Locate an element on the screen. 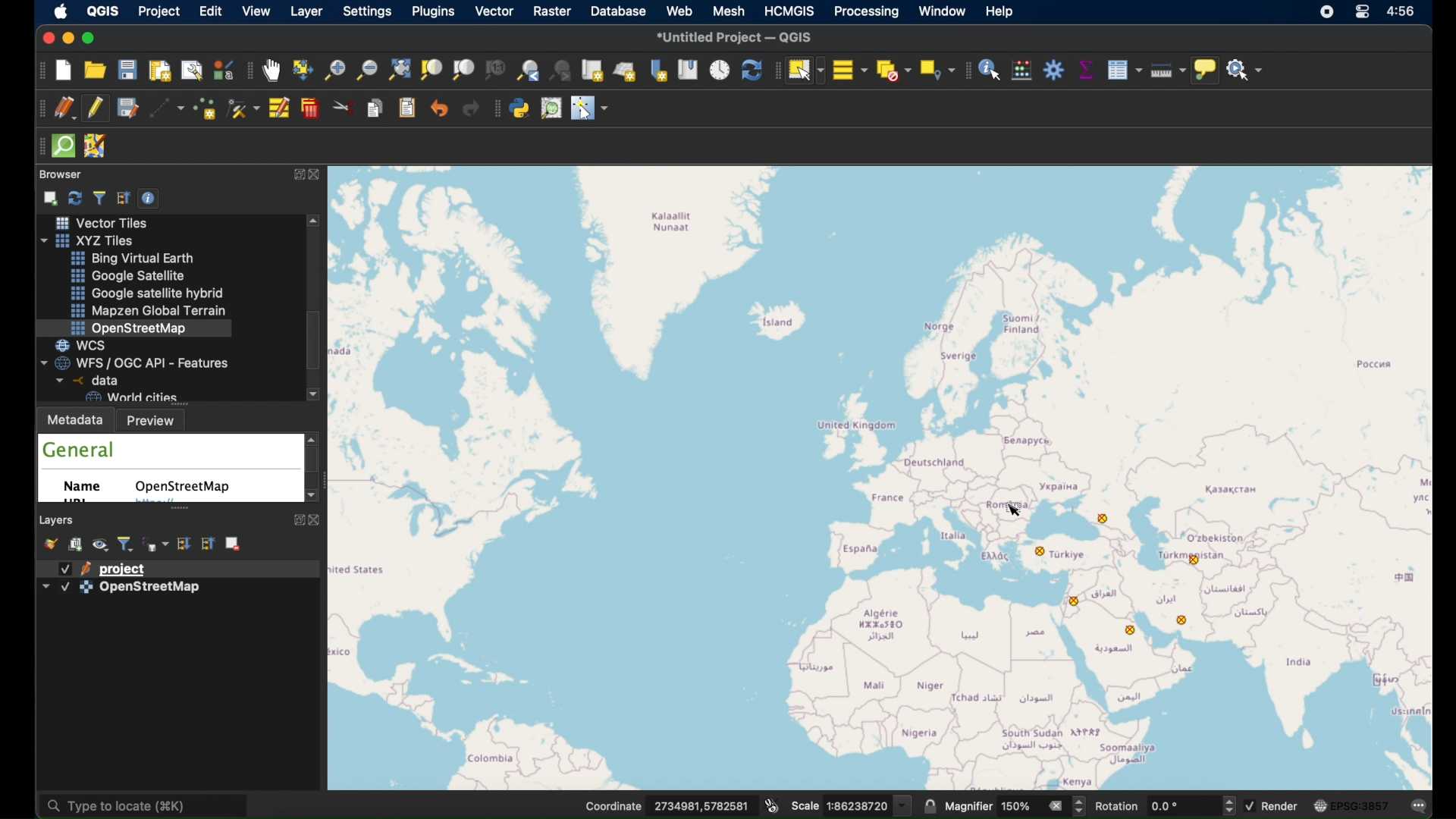 Image resolution: width=1456 pixels, height=819 pixels. point feature is located at coordinates (1103, 519).